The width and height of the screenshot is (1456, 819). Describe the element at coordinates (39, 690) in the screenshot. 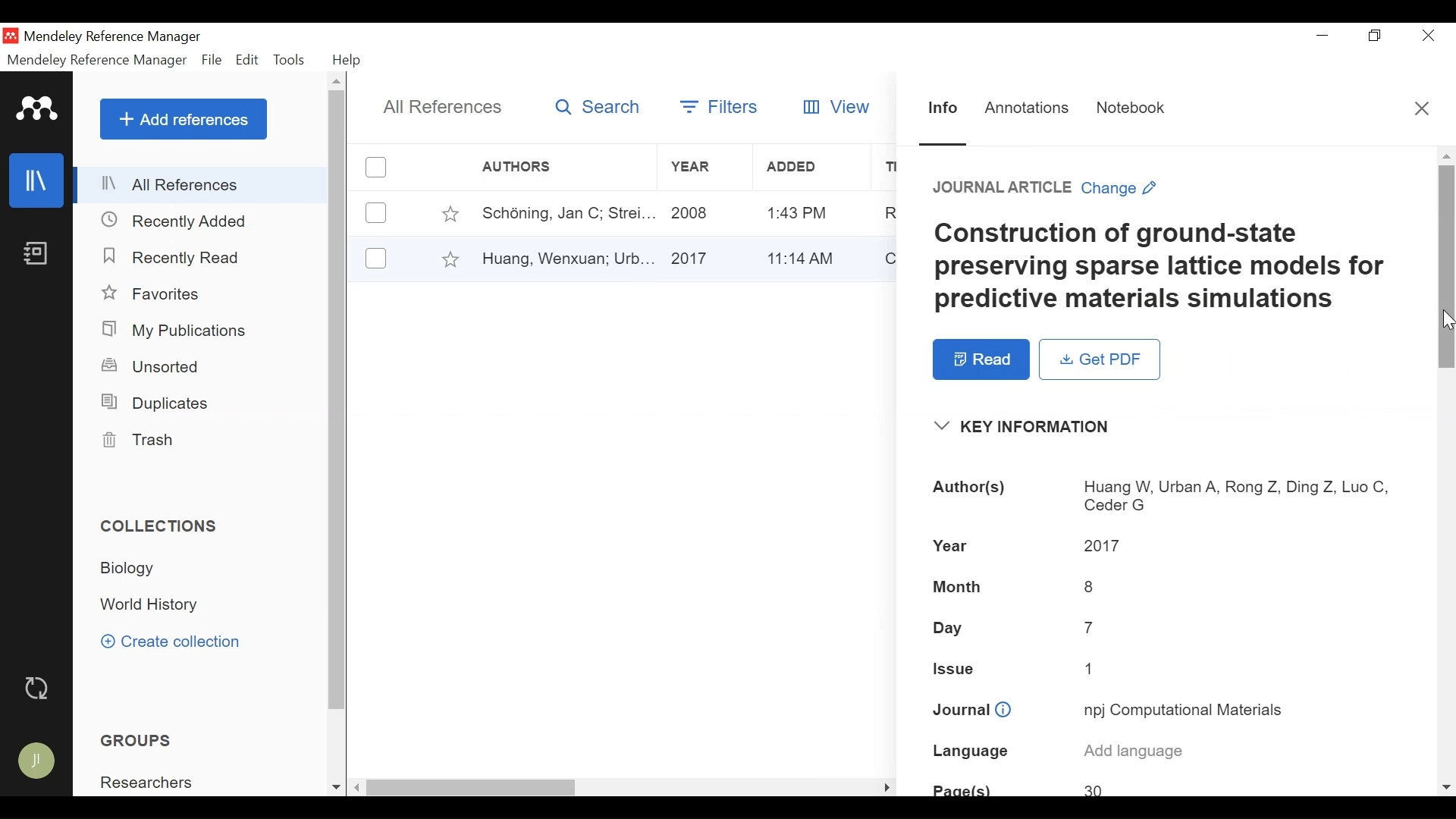

I see `Sync` at that location.